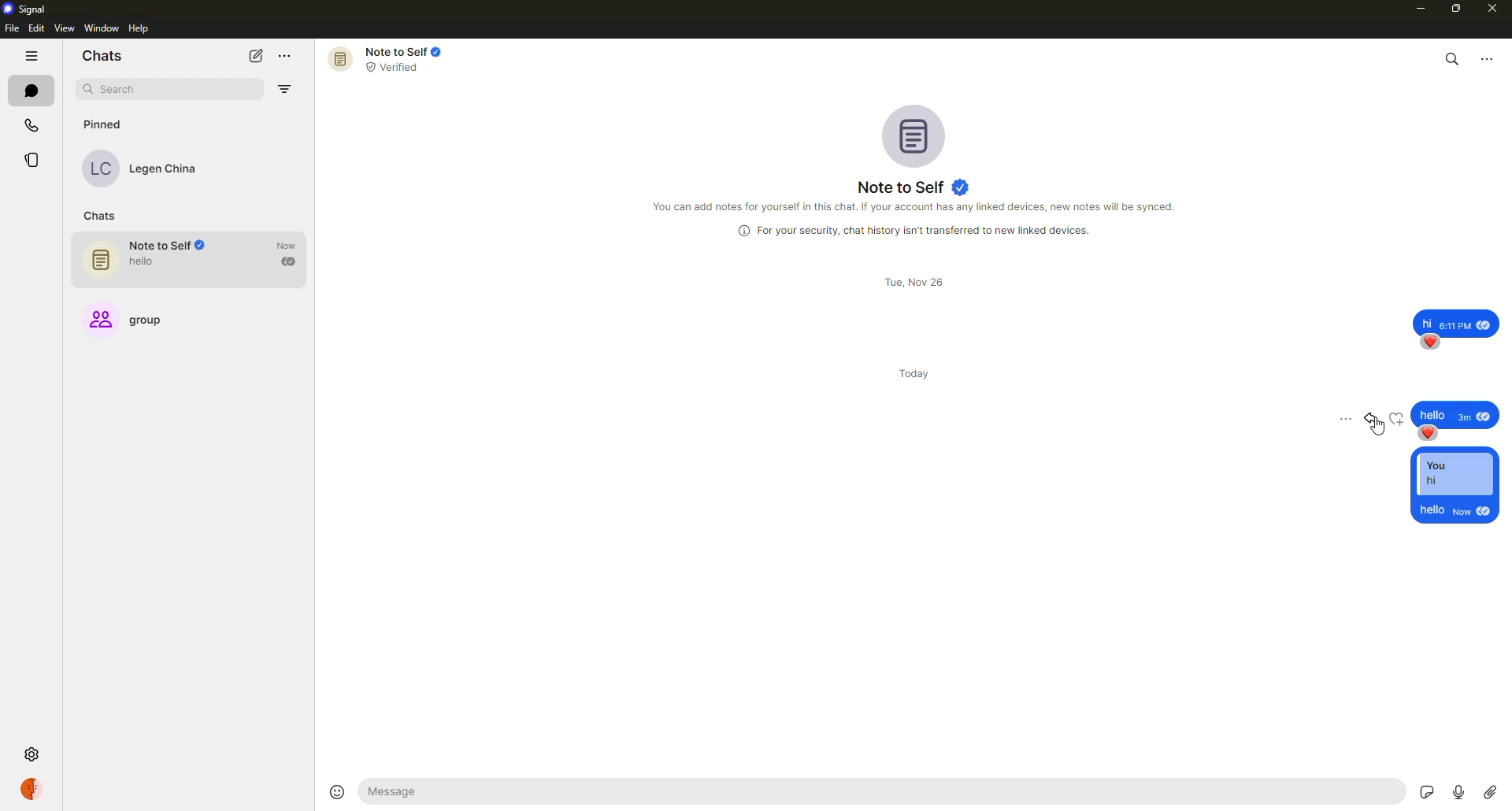 The width and height of the screenshot is (1512, 811). I want to click on minimize, so click(1418, 9).